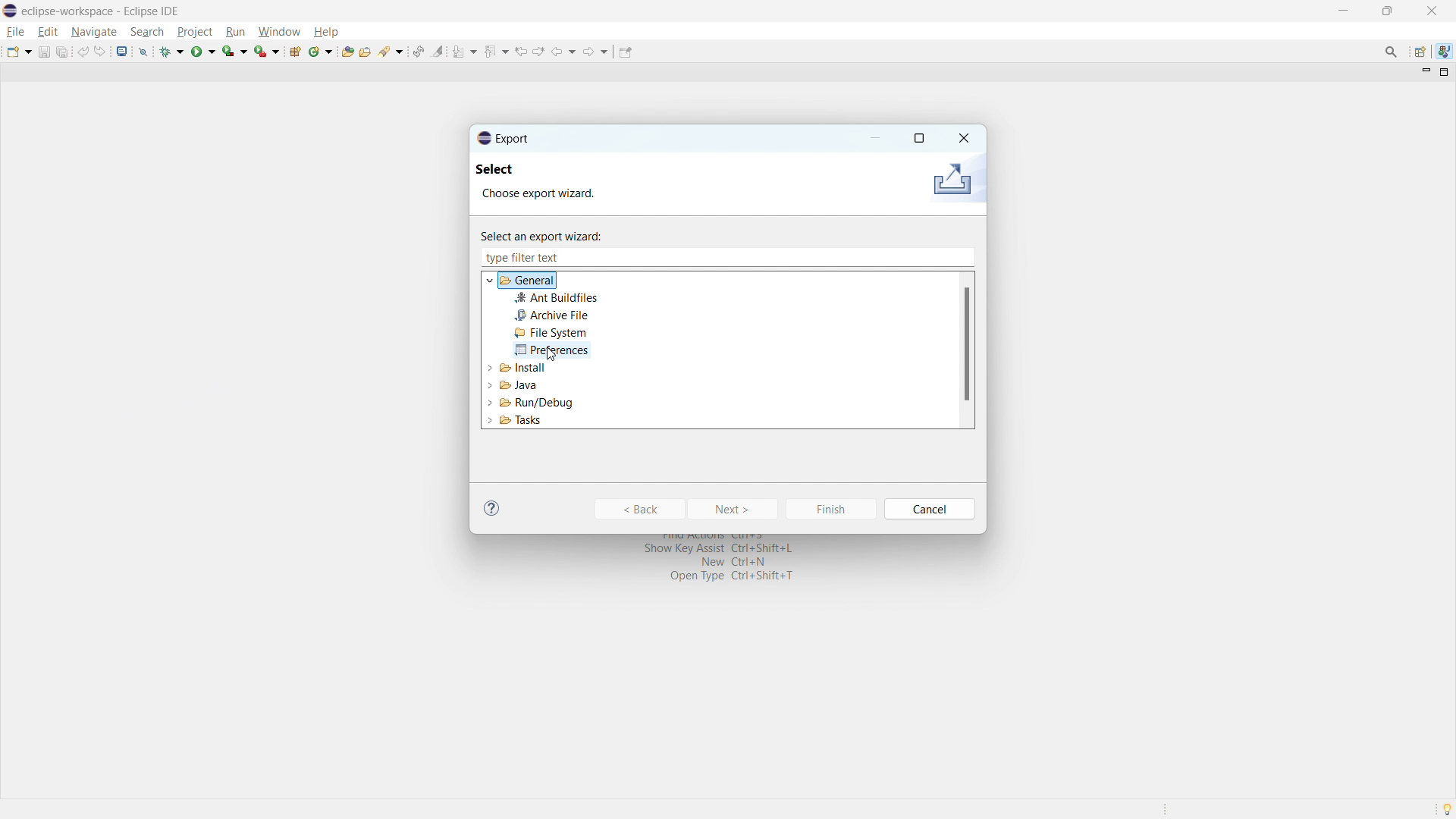  I want to click on close, so click(962, 136).